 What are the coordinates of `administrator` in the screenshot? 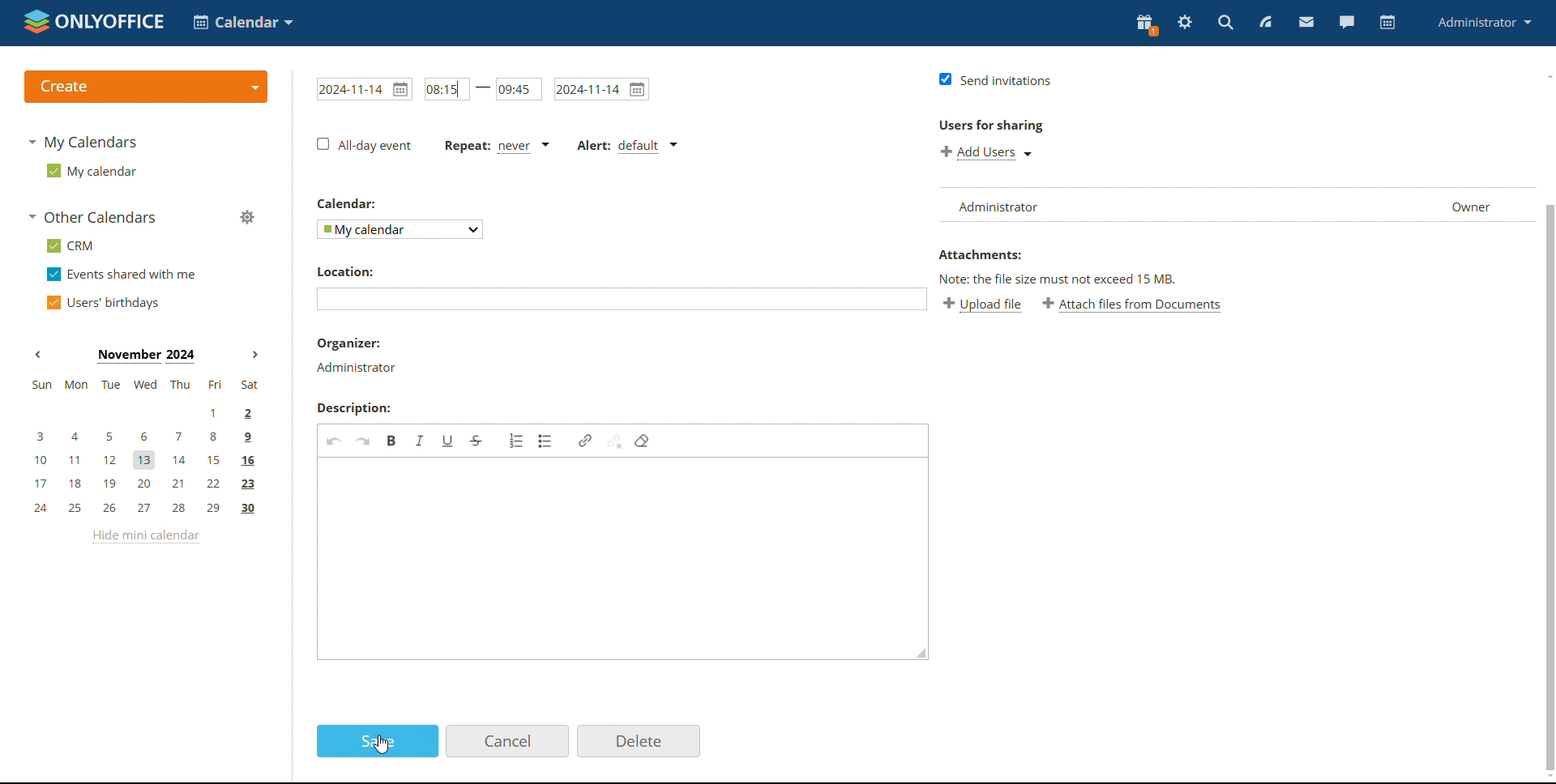 It's located at (1486, 23).